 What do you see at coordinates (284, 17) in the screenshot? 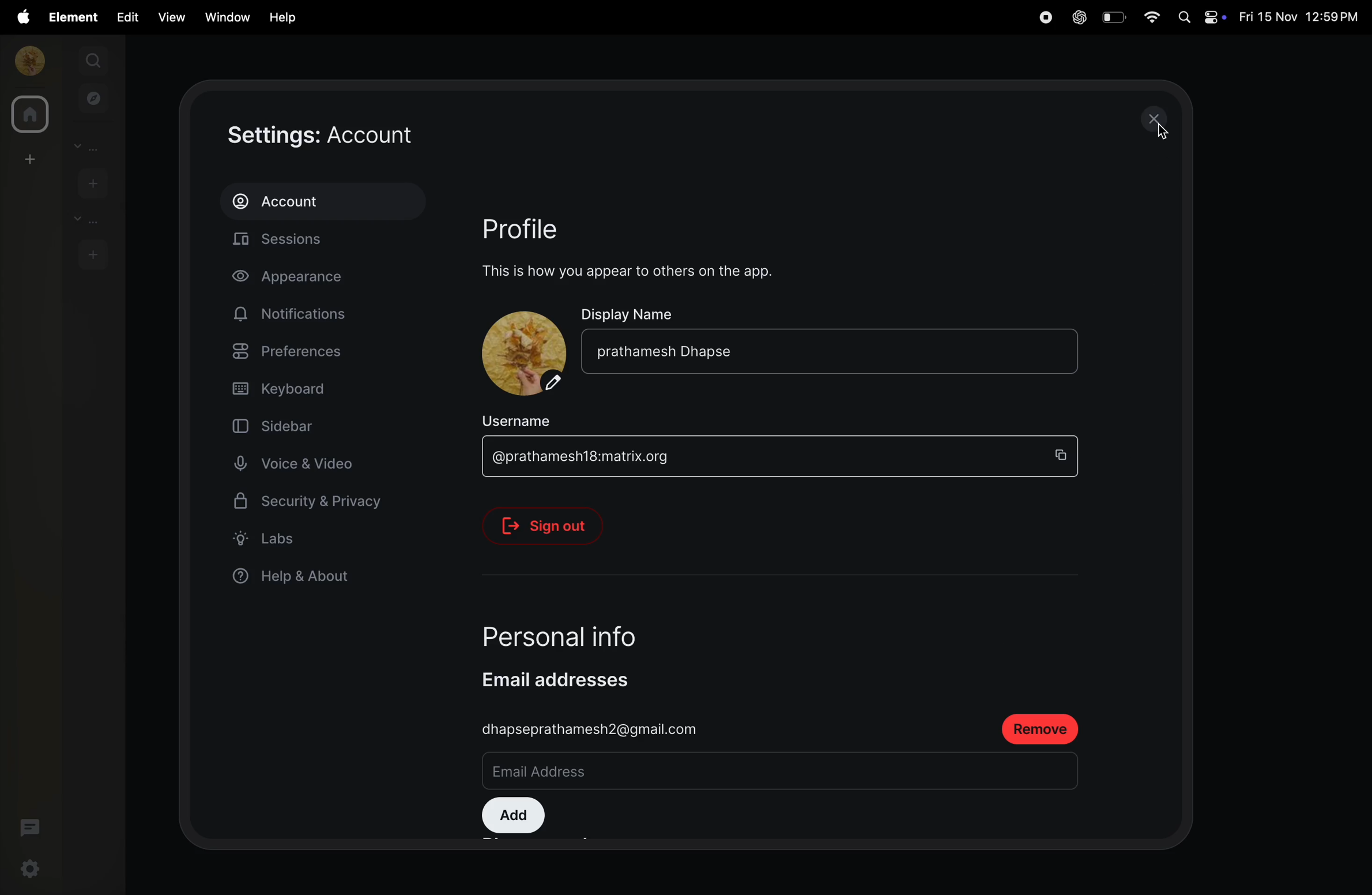
I see `Help` at bounding box center [284, 17].